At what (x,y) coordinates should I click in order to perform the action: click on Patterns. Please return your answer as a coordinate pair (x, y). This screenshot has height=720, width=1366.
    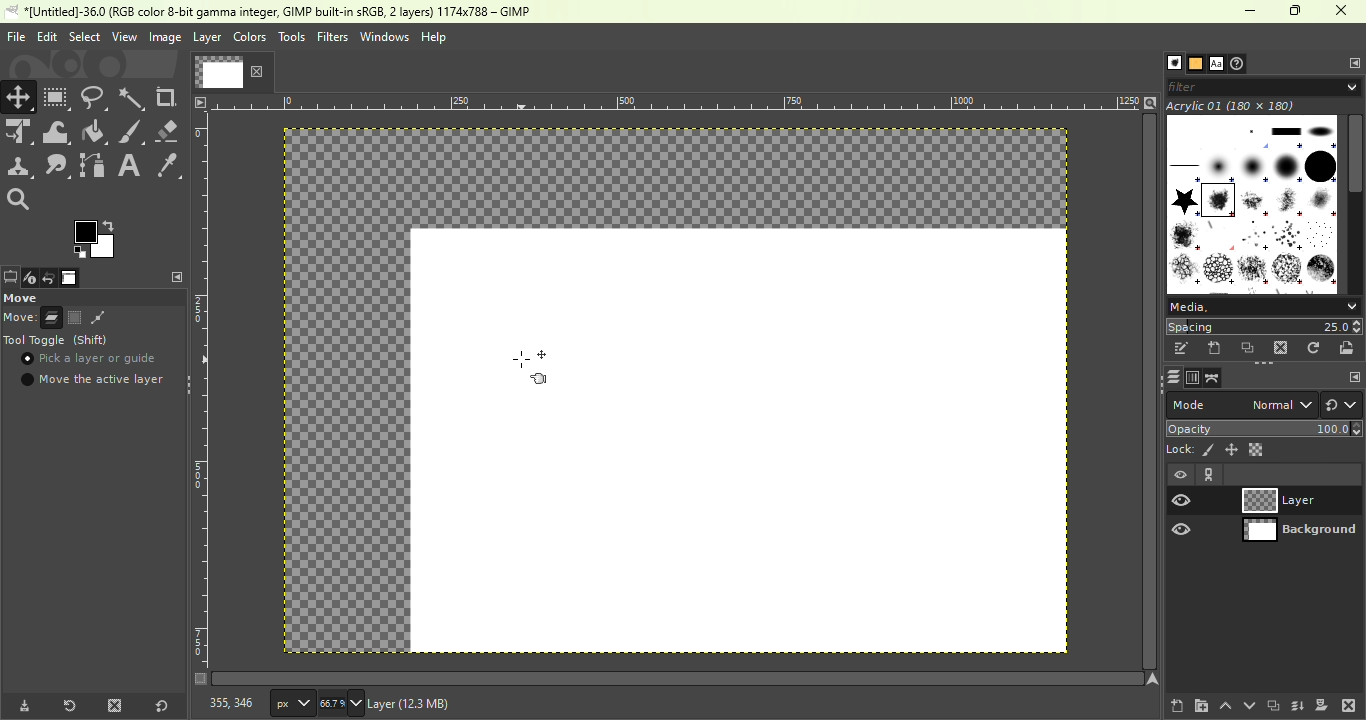
    Looking at the image, I should click on (1194, 62).